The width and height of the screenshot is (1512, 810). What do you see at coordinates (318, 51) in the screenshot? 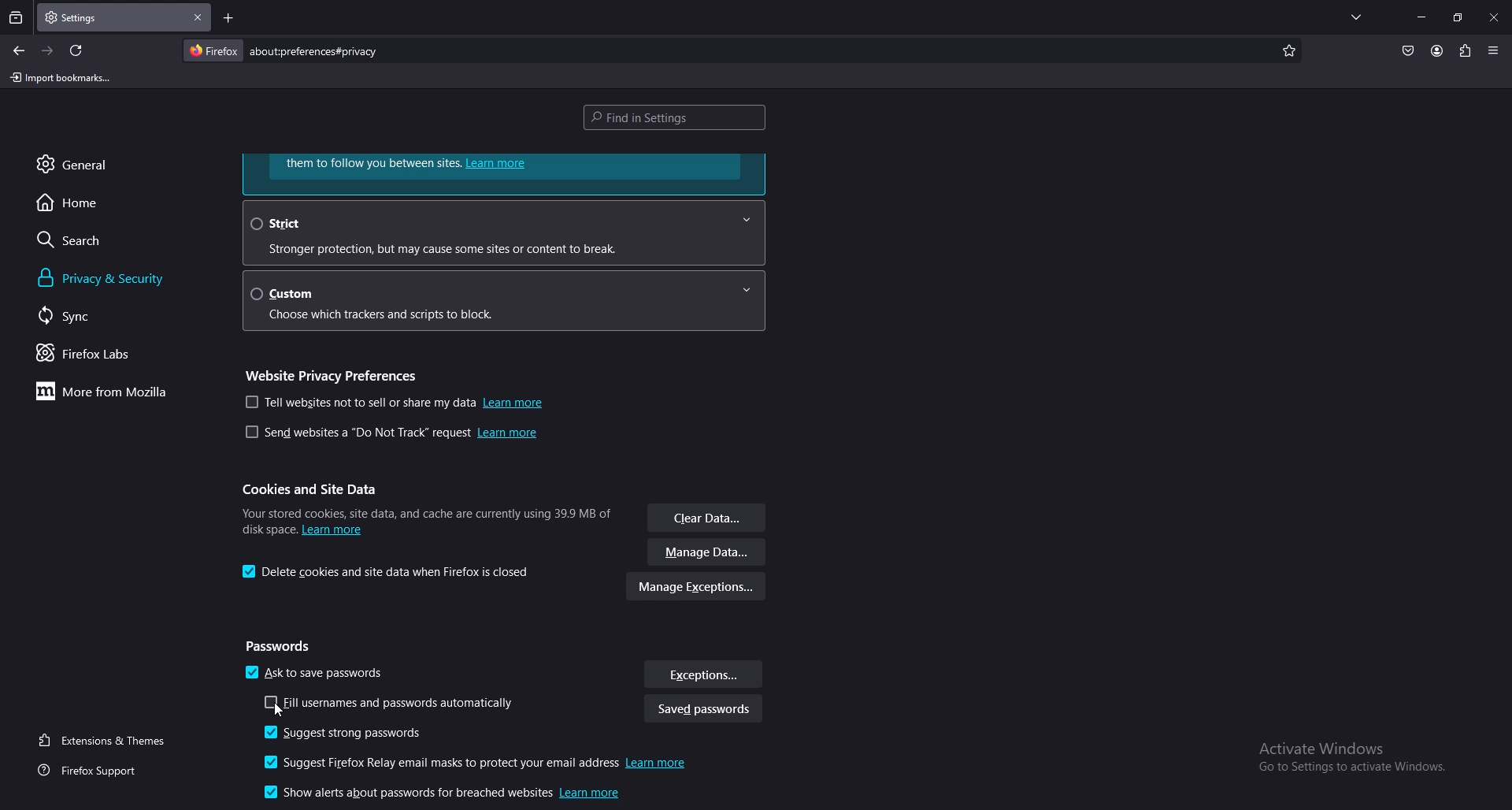
I see `search bar` at bounding box center [318, 51].